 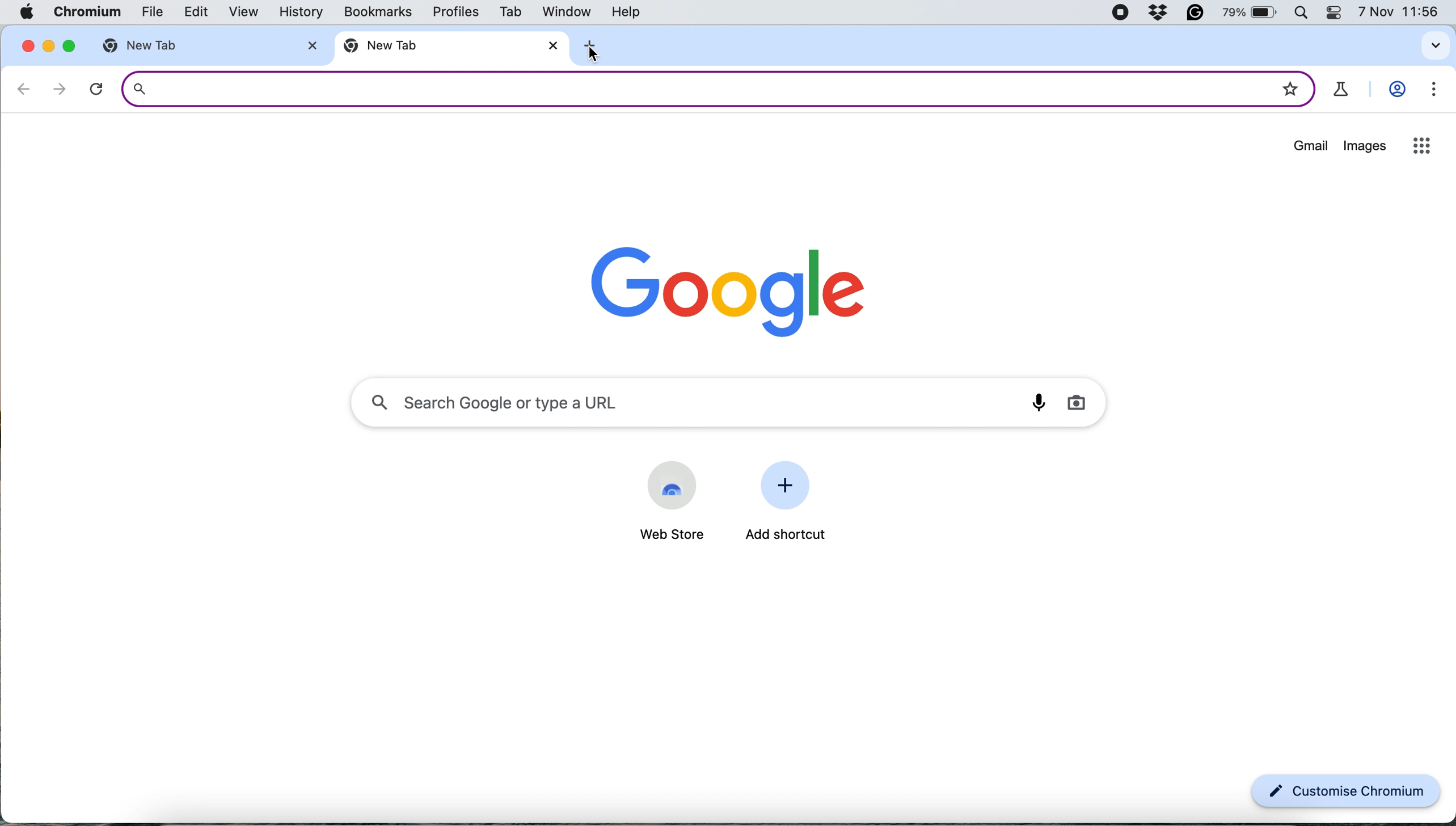 What do you see at coordinates (552, 44) in the screenshot?
I see `close` at bounding box center [552, 44].